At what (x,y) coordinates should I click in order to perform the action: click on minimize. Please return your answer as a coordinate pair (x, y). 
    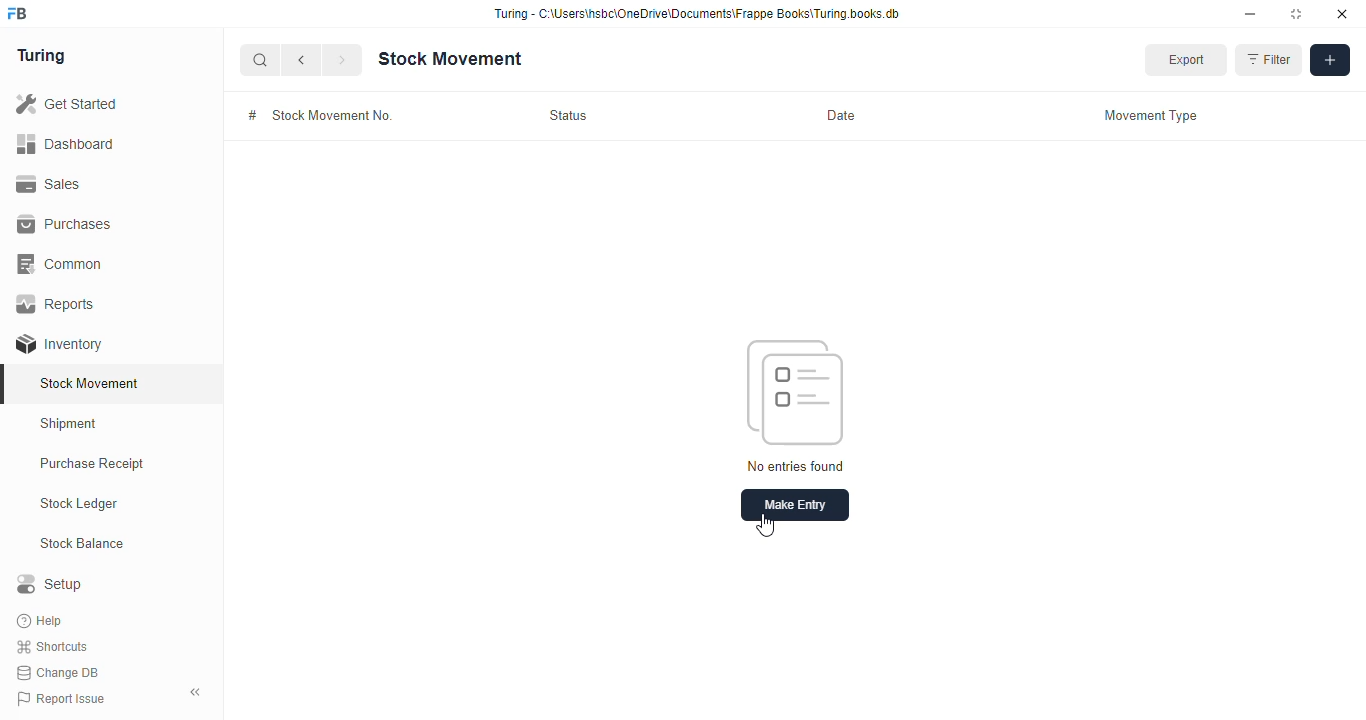
    Looking at the image, I should click on (1250, 15).